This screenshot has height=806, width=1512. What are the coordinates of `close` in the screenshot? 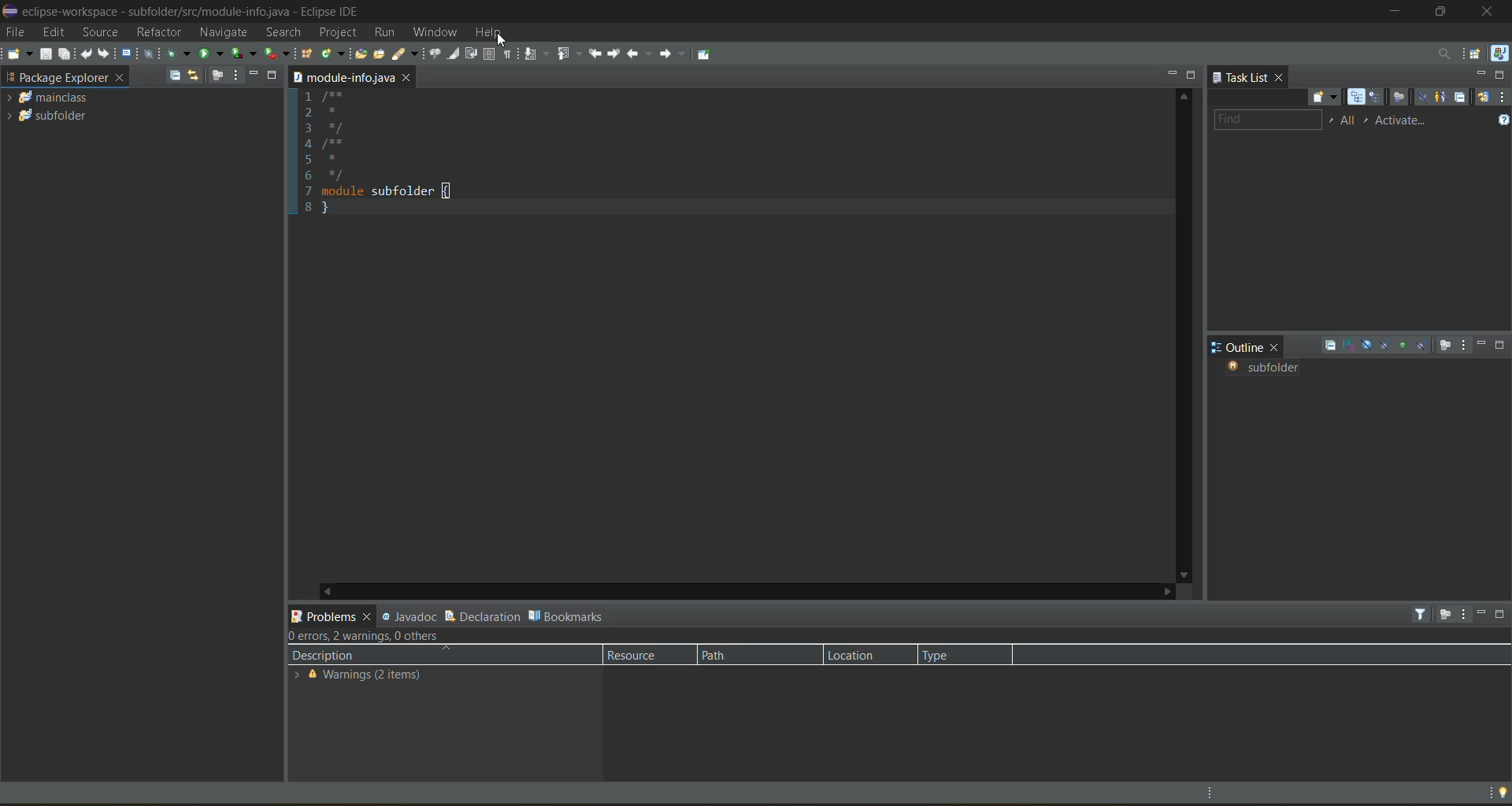 It's located at (371, 618).